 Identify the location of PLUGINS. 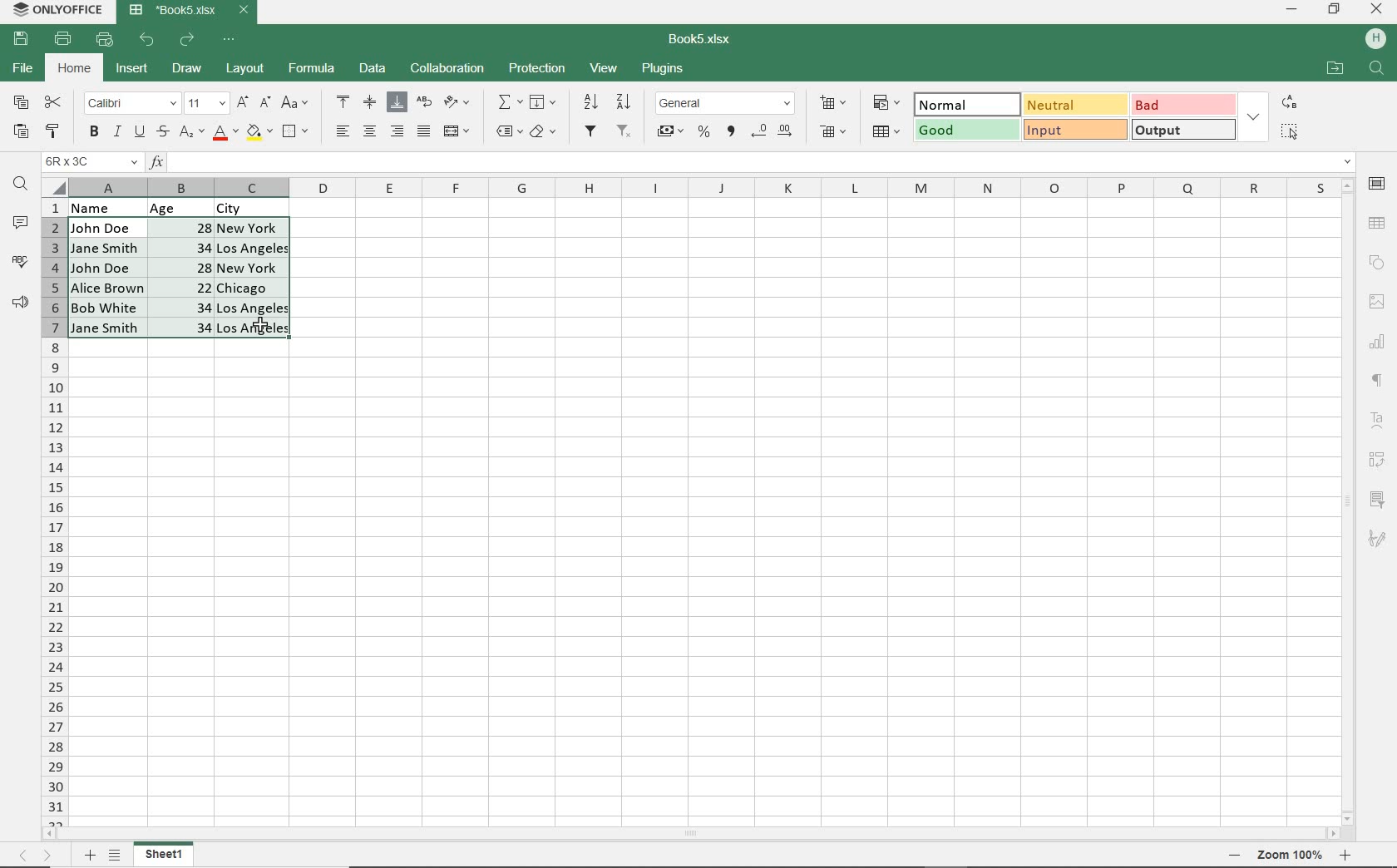
(664, 70).